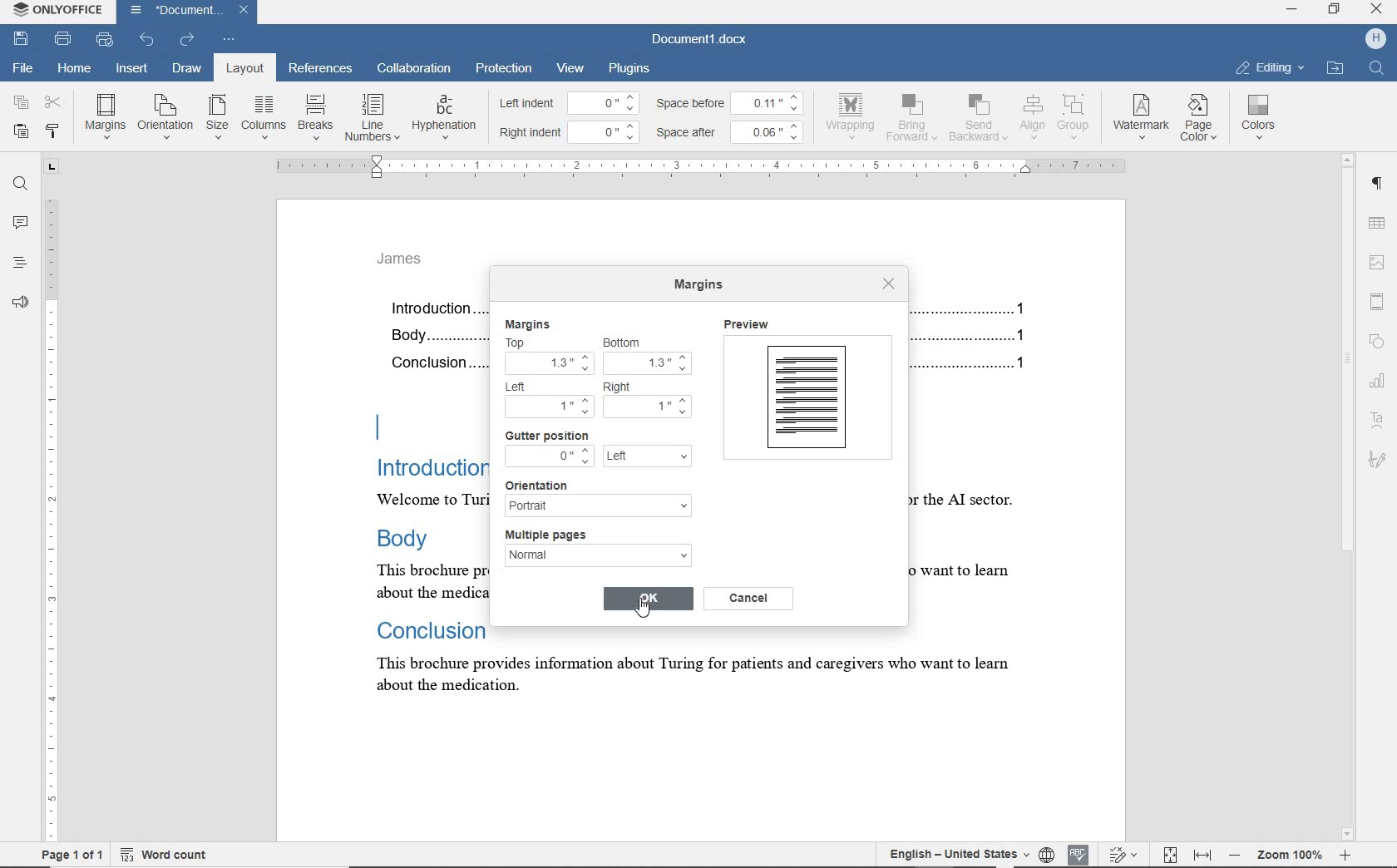  I want to click on file, so click(24, 66).